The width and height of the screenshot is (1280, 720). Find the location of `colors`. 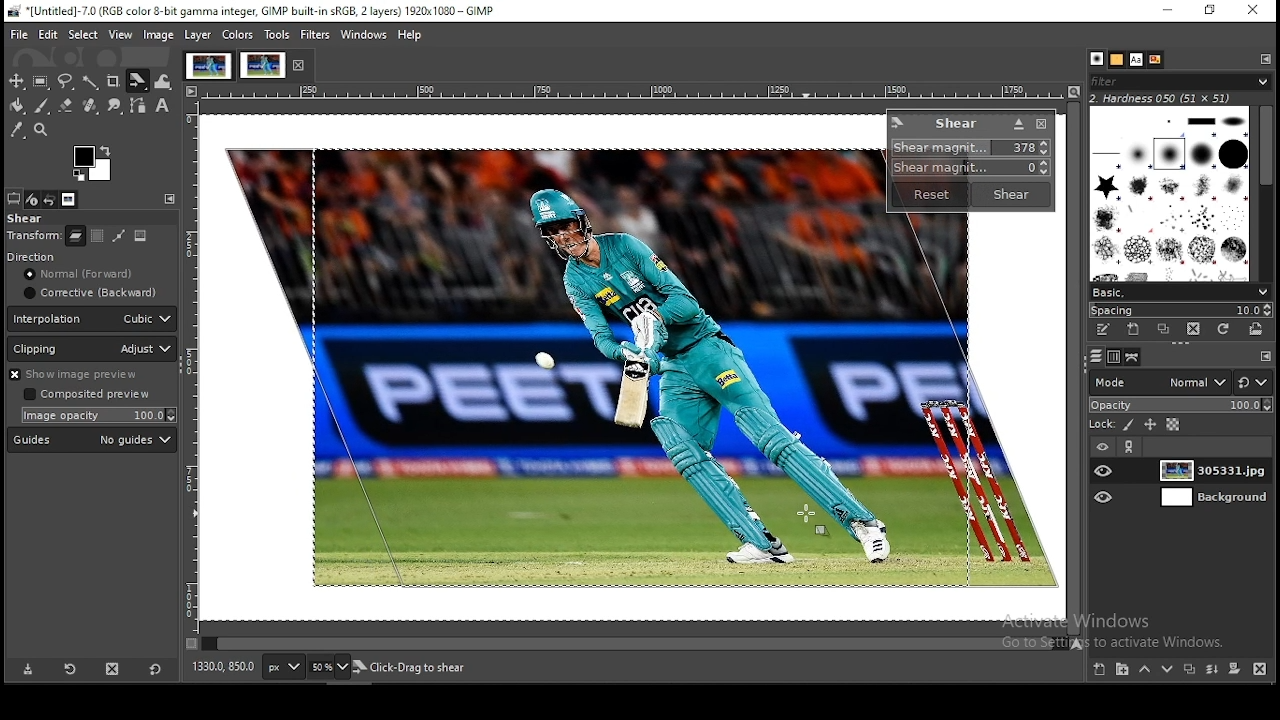

colors is located at coordinates (238, 35).